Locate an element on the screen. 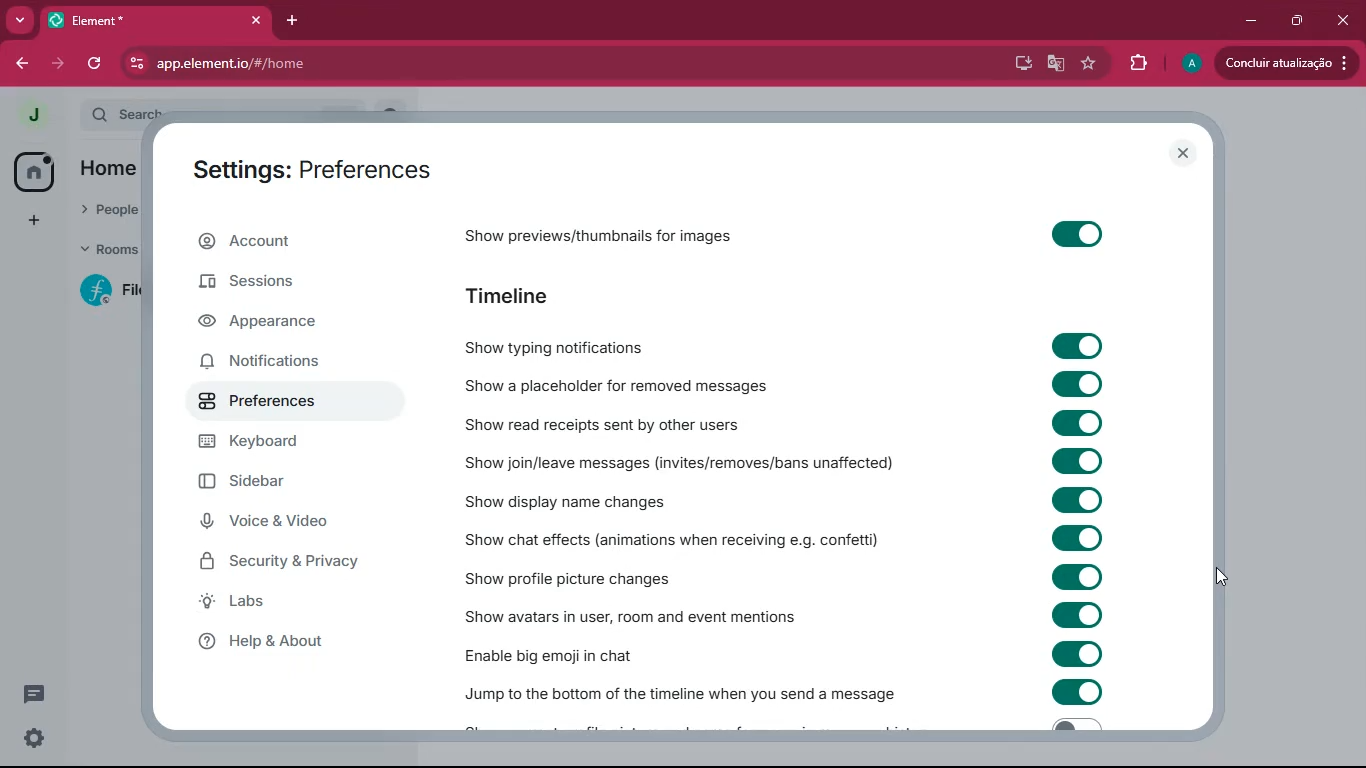 This screenshot has width=1366, height=768. a is located at coordinates (1191, 63).